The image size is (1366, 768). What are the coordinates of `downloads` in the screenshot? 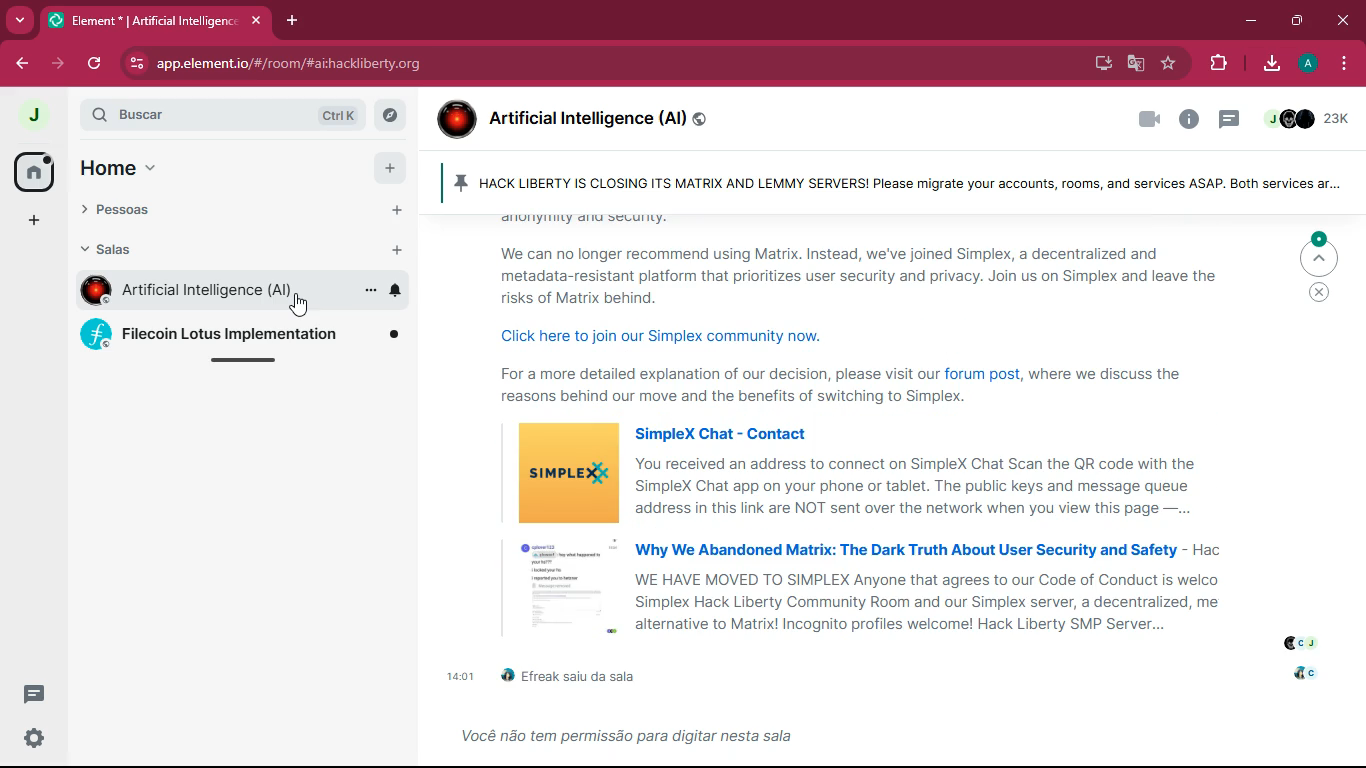 It's located at (1267, 64).